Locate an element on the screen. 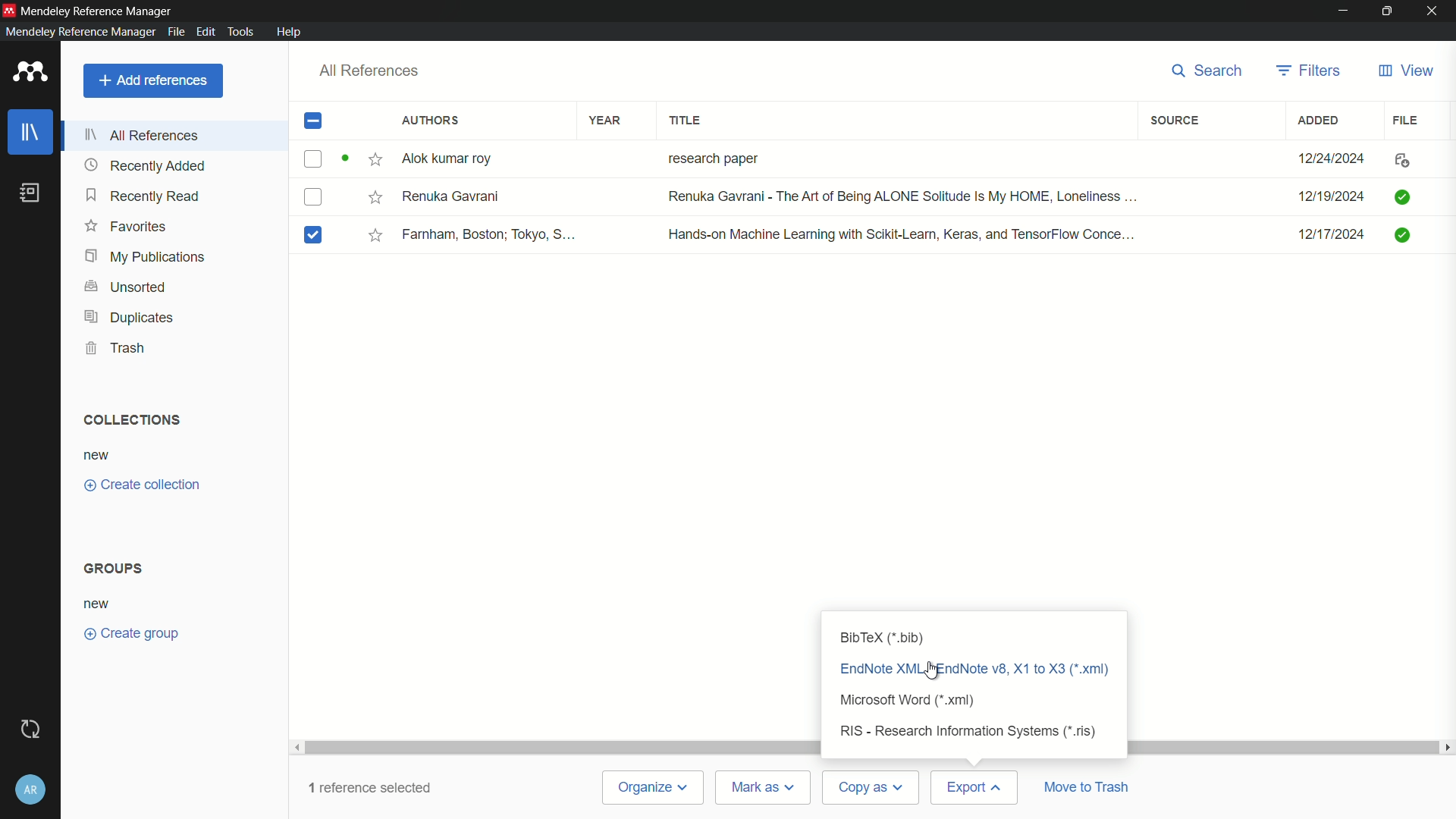 Image resolution: width=1456 pixels, height=819 pixels. search is located at coordinates (1209, 71).